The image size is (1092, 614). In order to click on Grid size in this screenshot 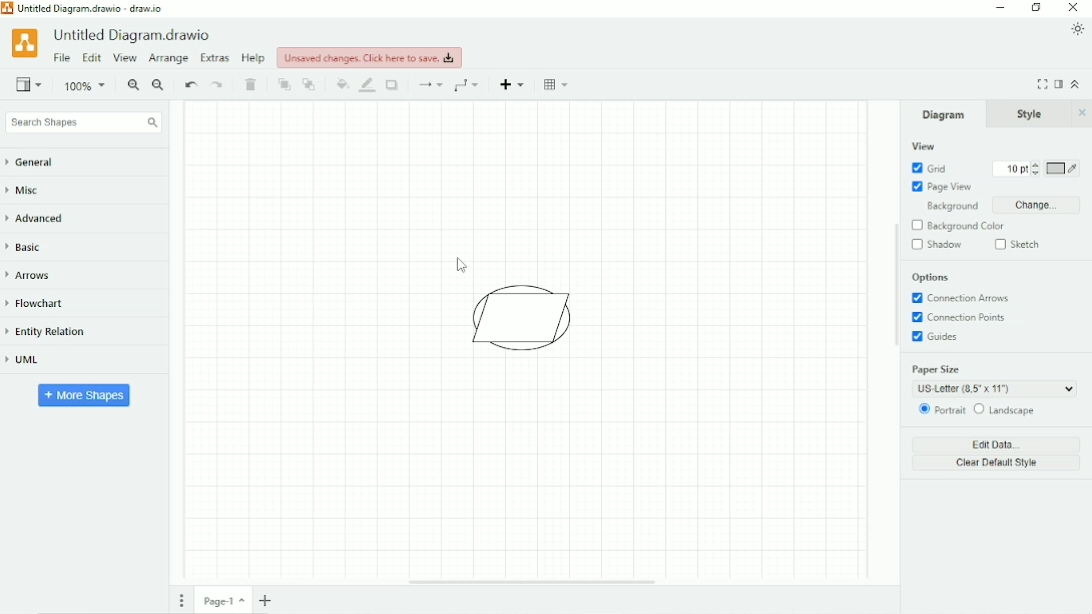, I will do `click(1011, 169)`.